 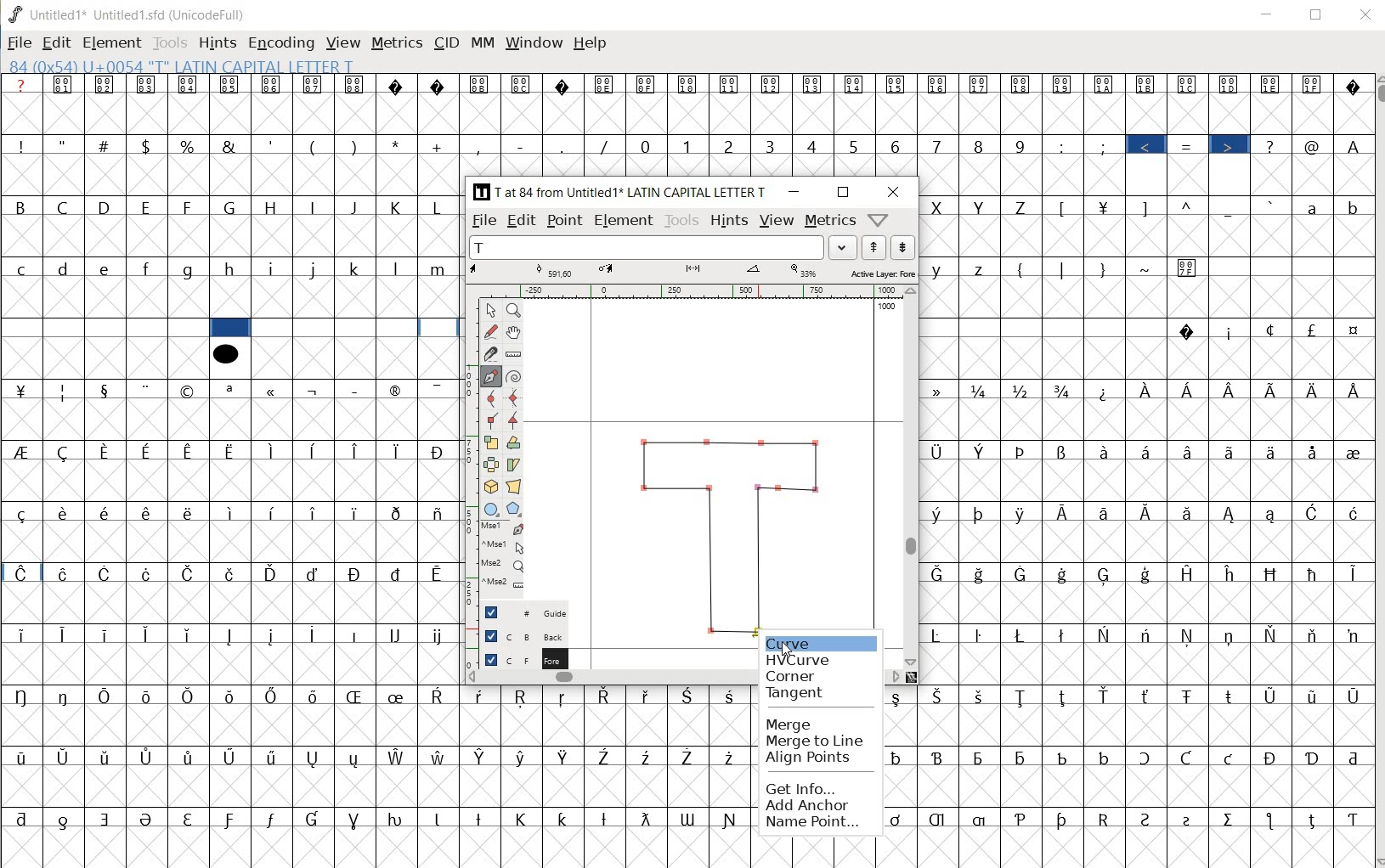 What do you see at coordinates (1025, 574) in the screenshot?
I see `Symbol` at bounding box center [1025, 574].